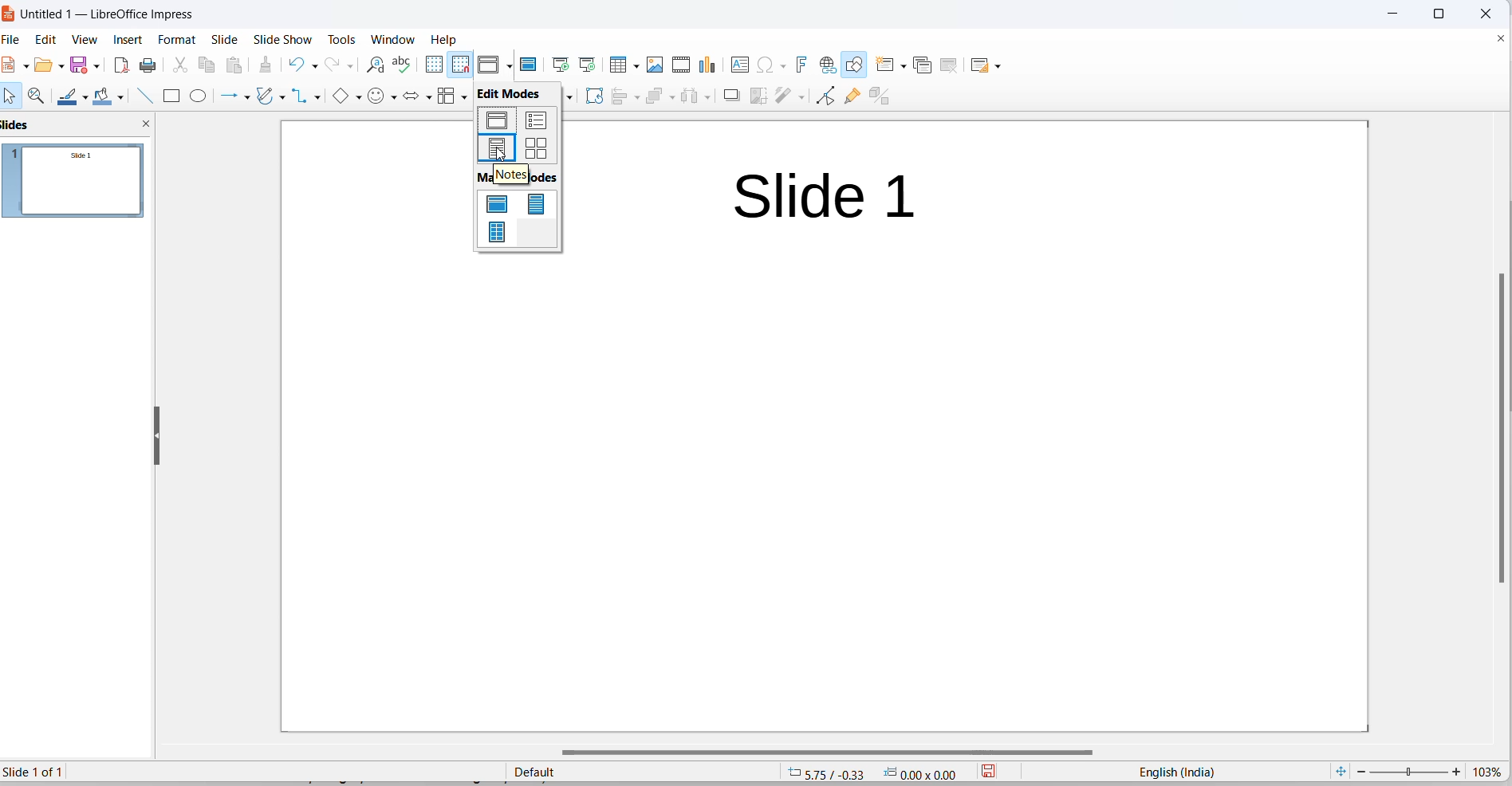 This screenshot has height=786, width=1512. What do you see at coordinates (1391, 14) in the screenshot?
I see `close` at bounding box center [1391, 14].